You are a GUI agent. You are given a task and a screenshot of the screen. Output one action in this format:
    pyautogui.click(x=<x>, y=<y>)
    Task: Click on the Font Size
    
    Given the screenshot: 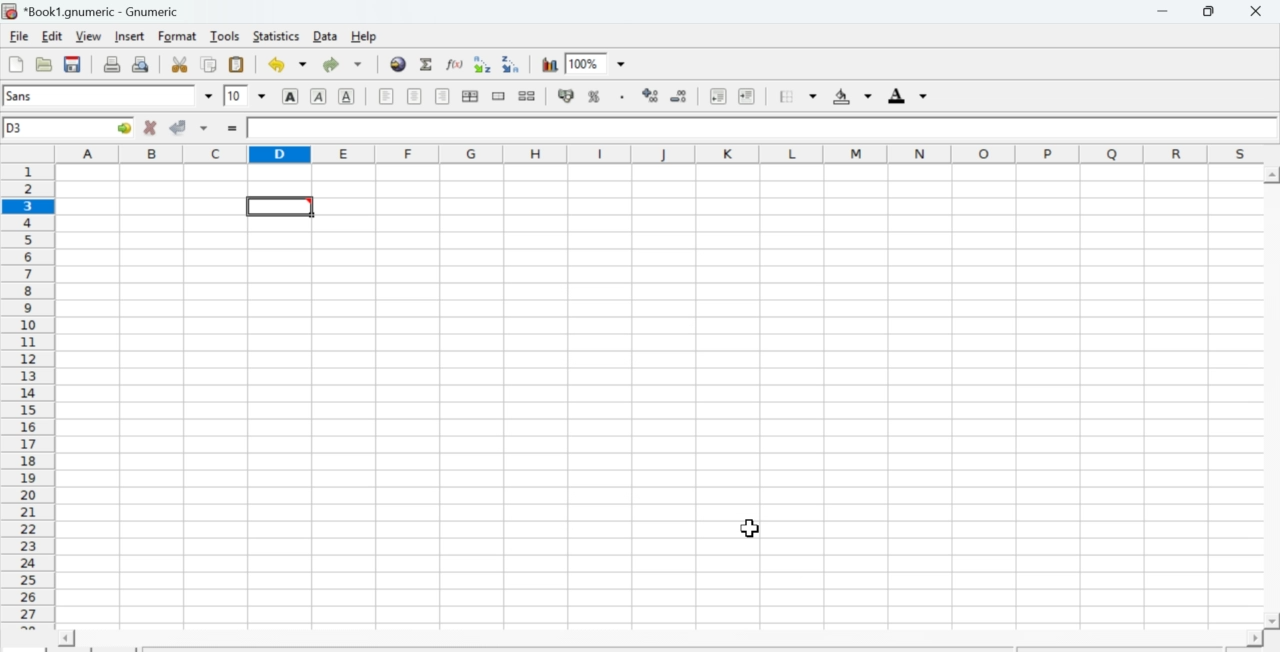 What is the action you would take?
    pyautogui.click(x=244, y=95)
    